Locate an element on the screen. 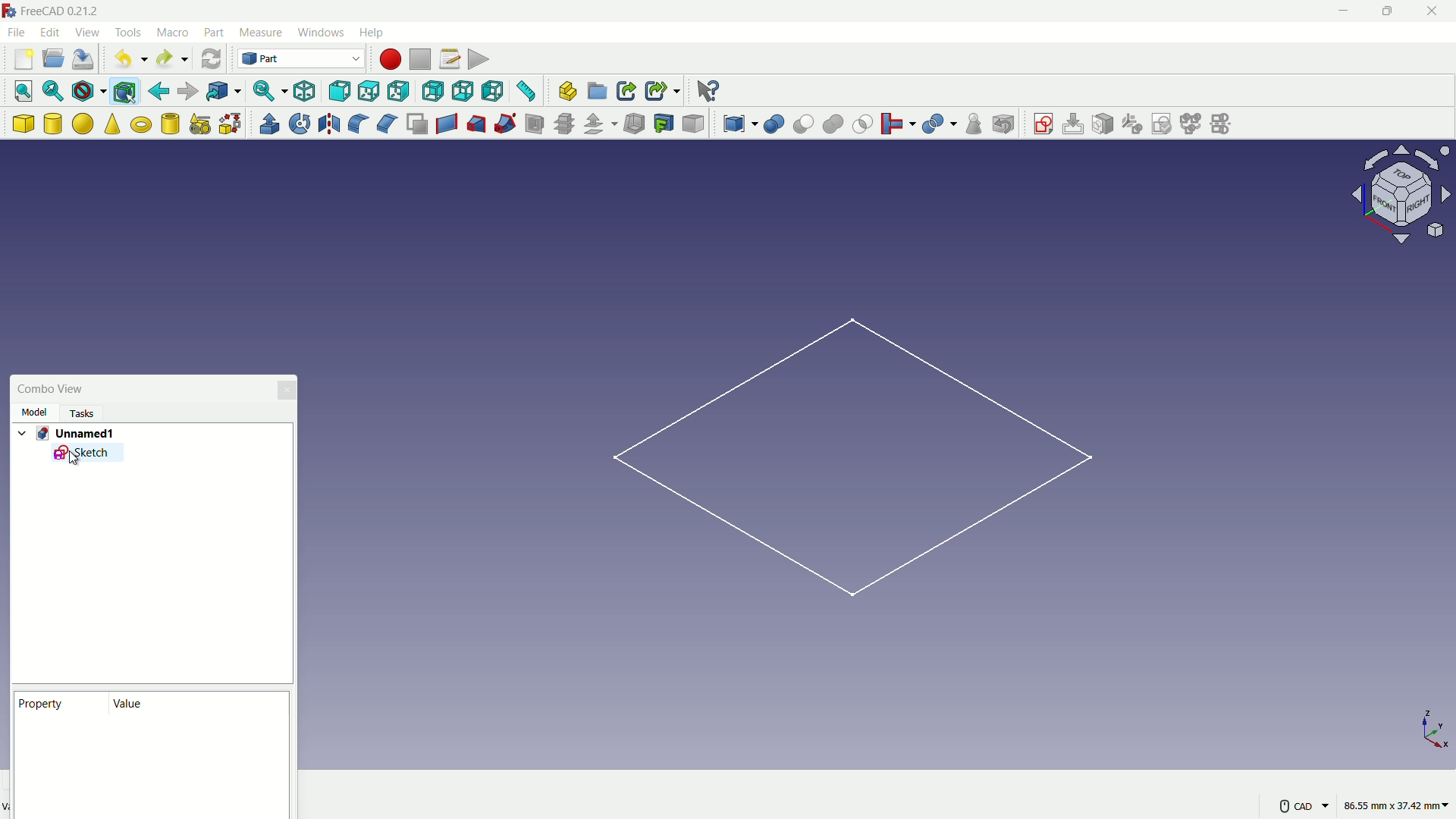  mirror sketch is located at coordinates (1226, 123).